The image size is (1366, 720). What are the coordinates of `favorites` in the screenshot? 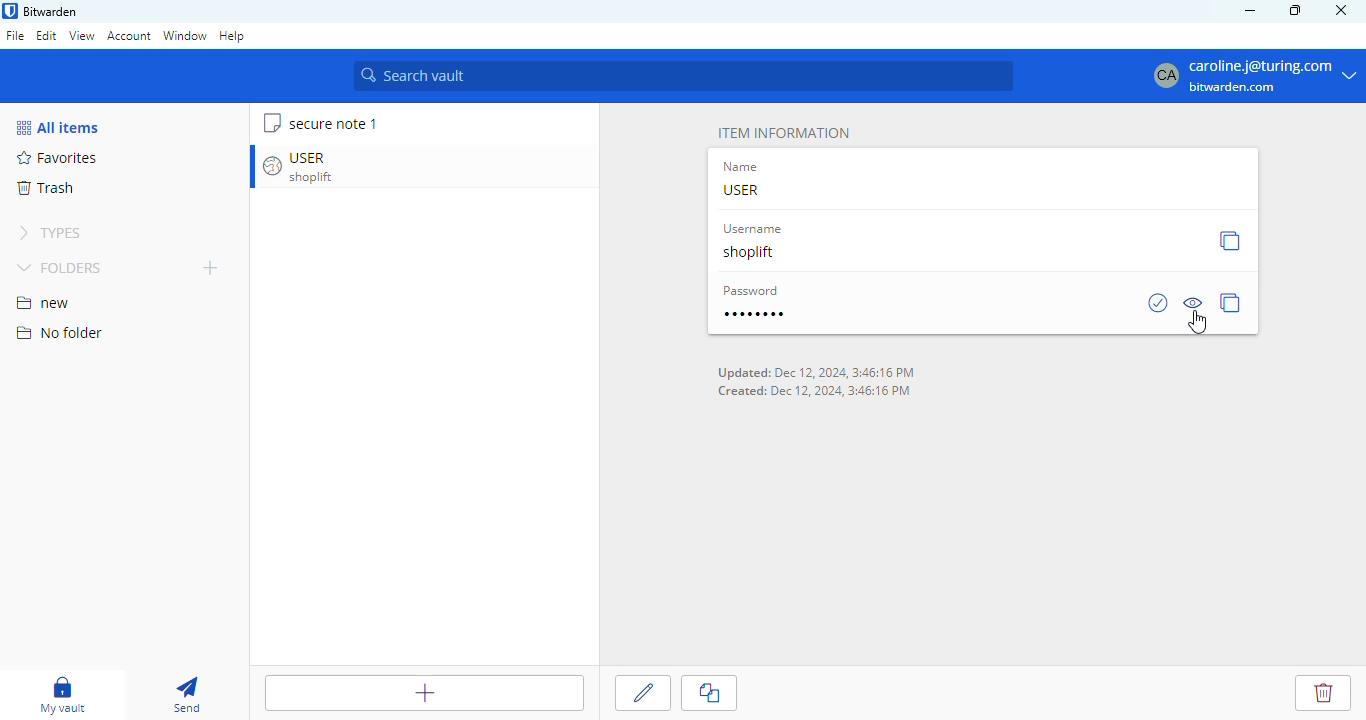 It's located at (55, 158).